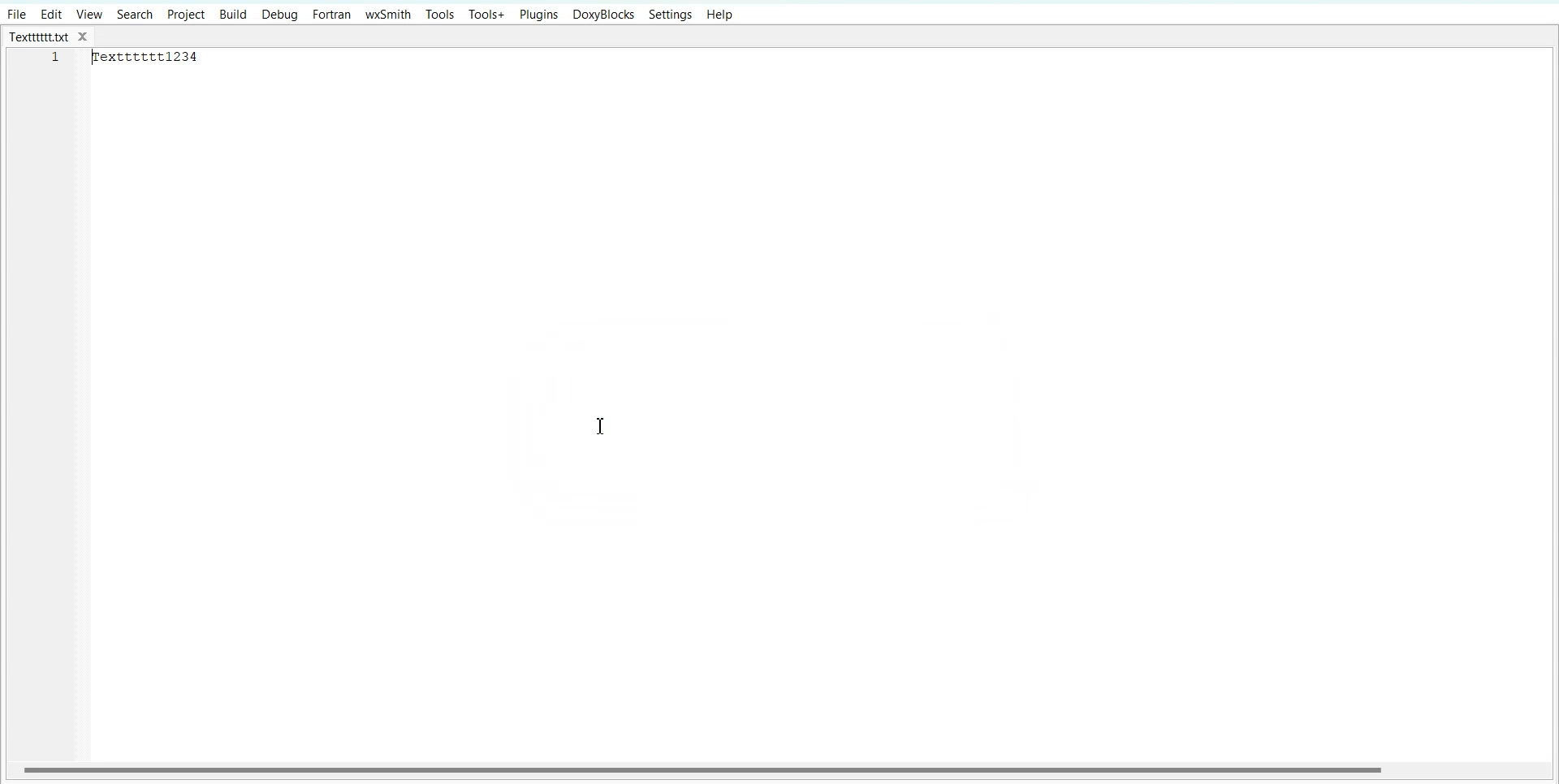  What do you see at coordinates (233, 15) in the screenshot?
I see `Build` at bounding box center [233, 15].